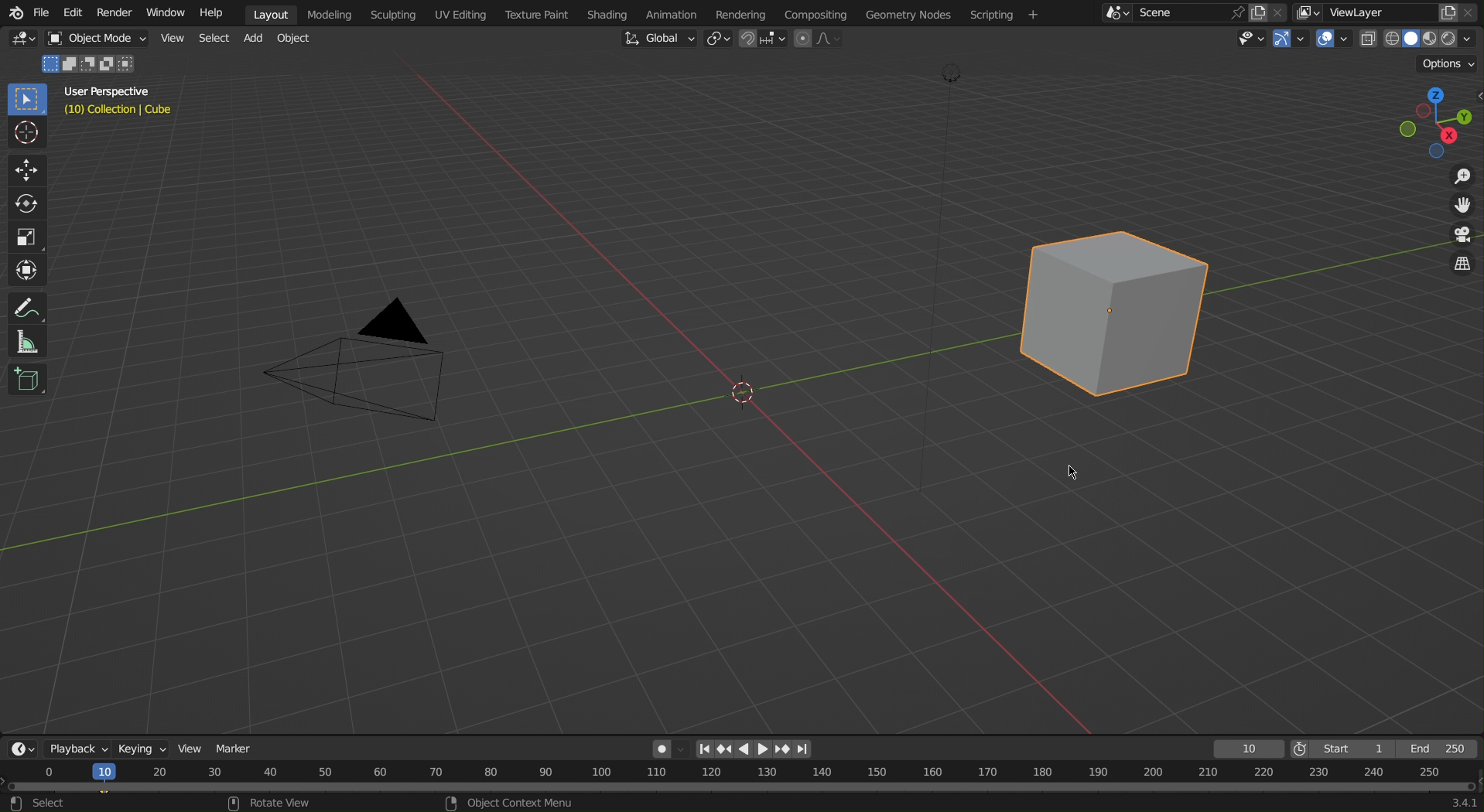 The image size is (1484, 812). What do you see at coordinates (1420, 39) in the screenshot?
I see `Viewport Shading` at bounding box center [1420, 39].